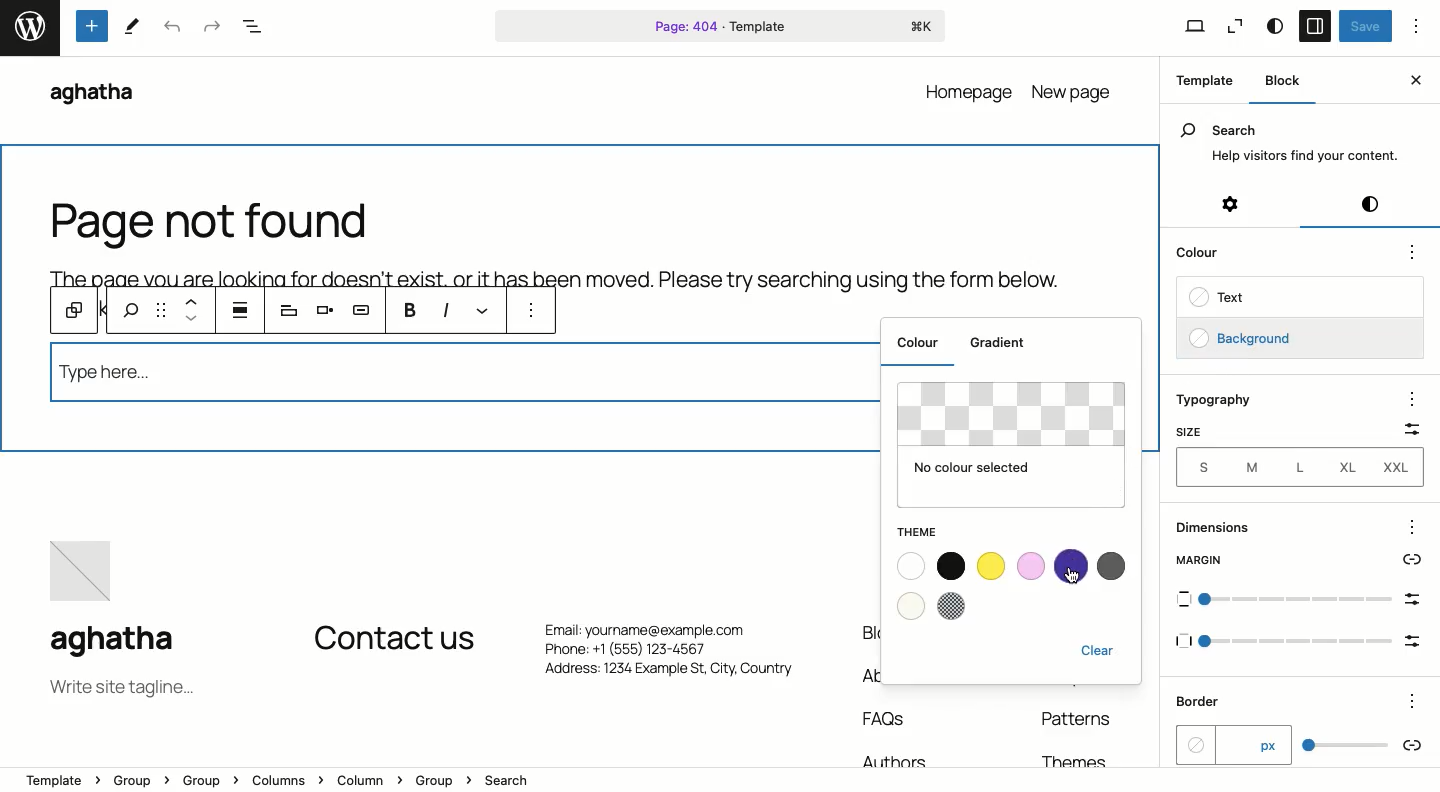  What do you see at coordinates (868, 674) in the screenshot?
I see `About` at bounding box center [868, 674].